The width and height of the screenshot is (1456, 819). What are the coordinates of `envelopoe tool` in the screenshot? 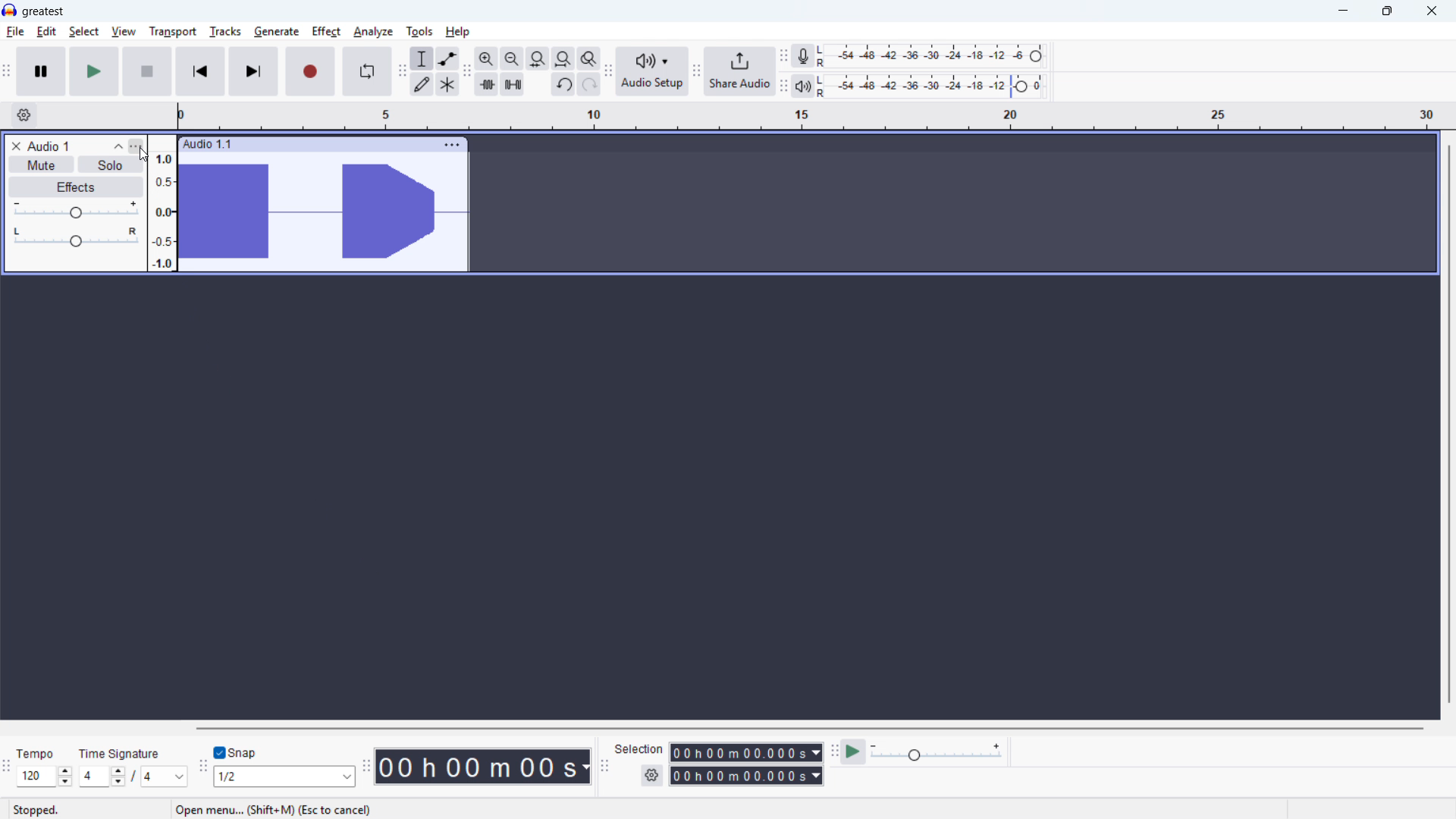 It's located at (448, 58).